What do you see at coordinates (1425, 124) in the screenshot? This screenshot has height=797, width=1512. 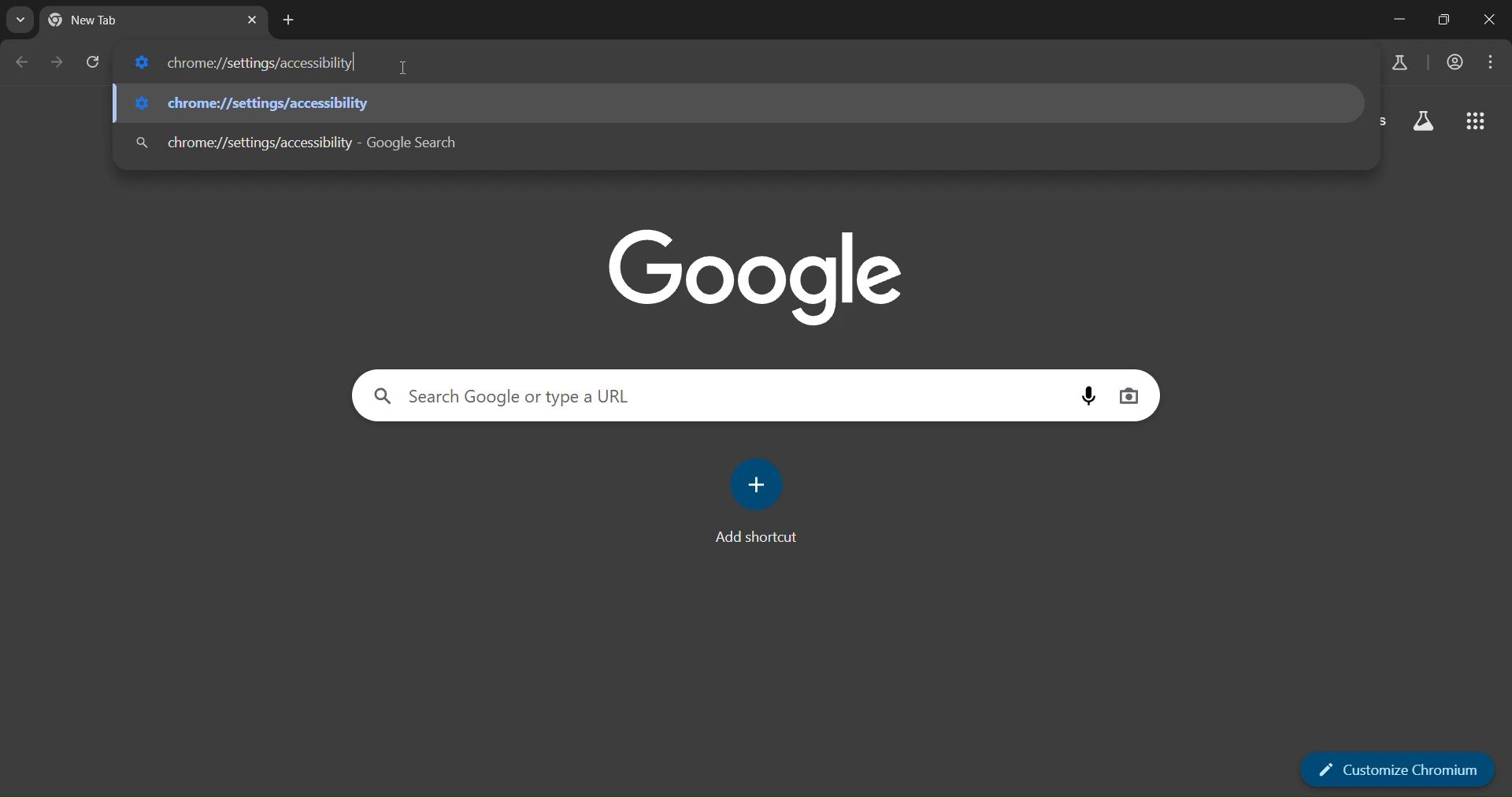 I see `search labs` at bounding box center [1425, 124].